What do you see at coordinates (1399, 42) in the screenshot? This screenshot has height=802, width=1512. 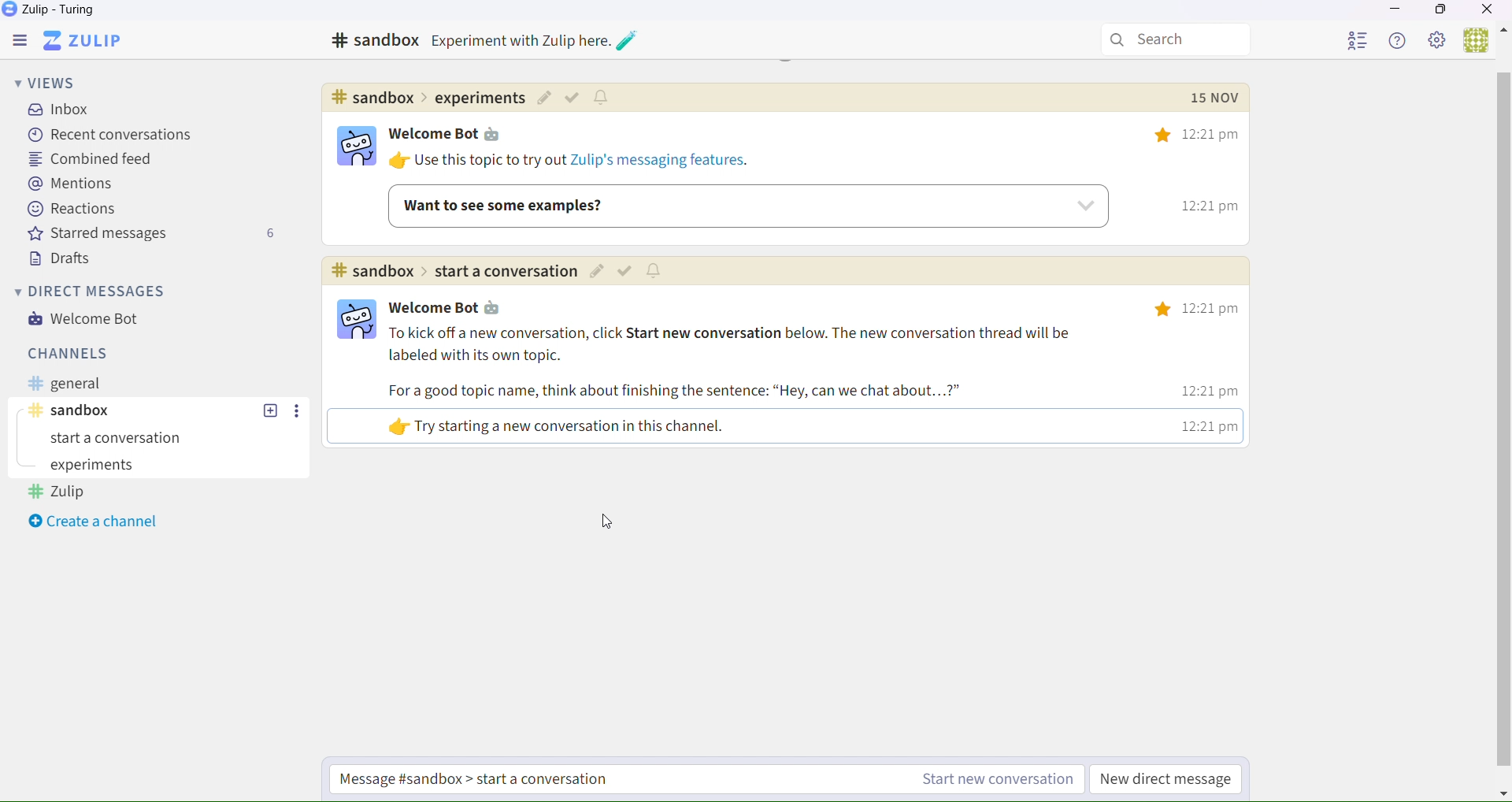 I see `Help` at bounding box center [1399, 42].